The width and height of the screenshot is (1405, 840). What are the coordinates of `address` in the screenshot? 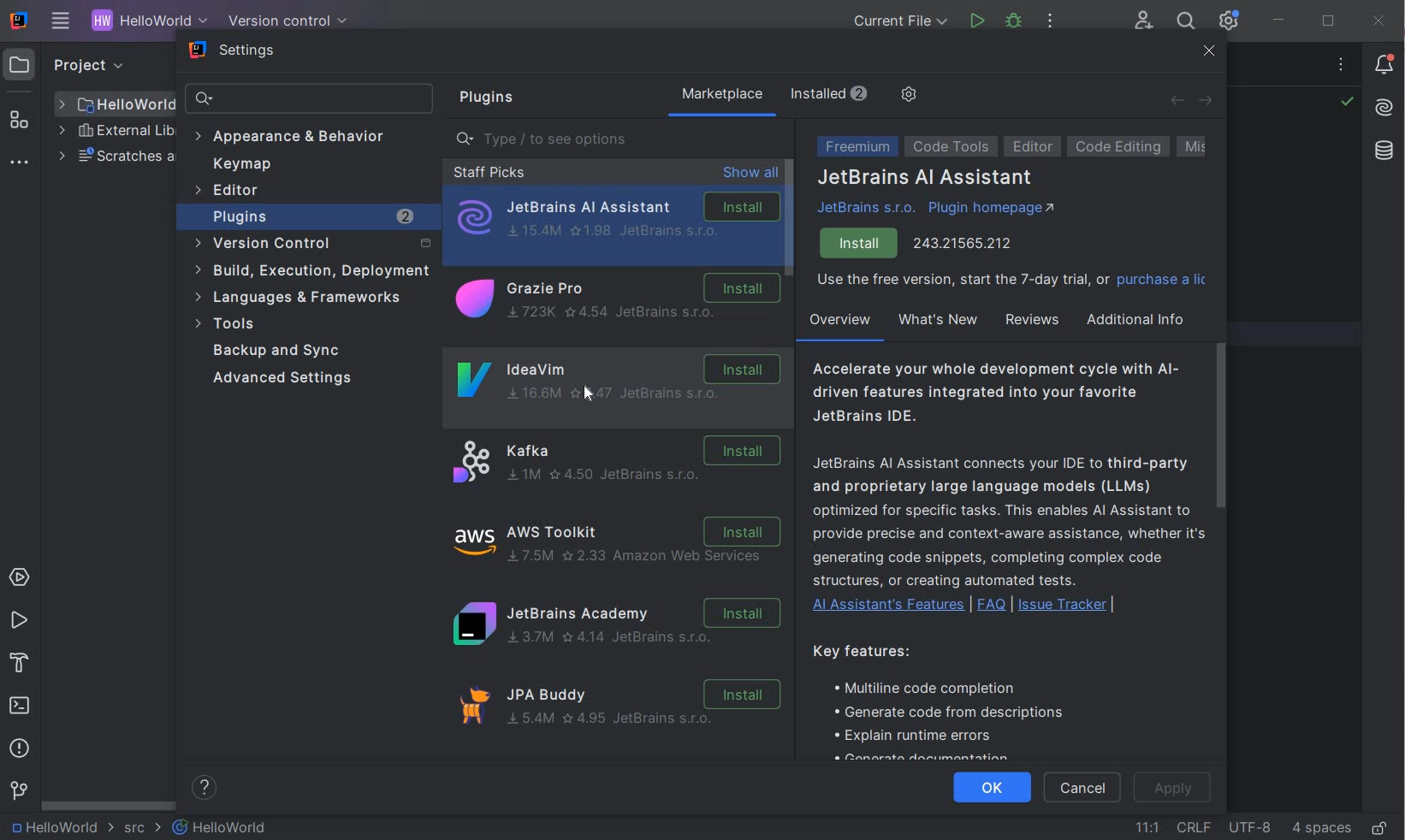 It's located at (964, 241).